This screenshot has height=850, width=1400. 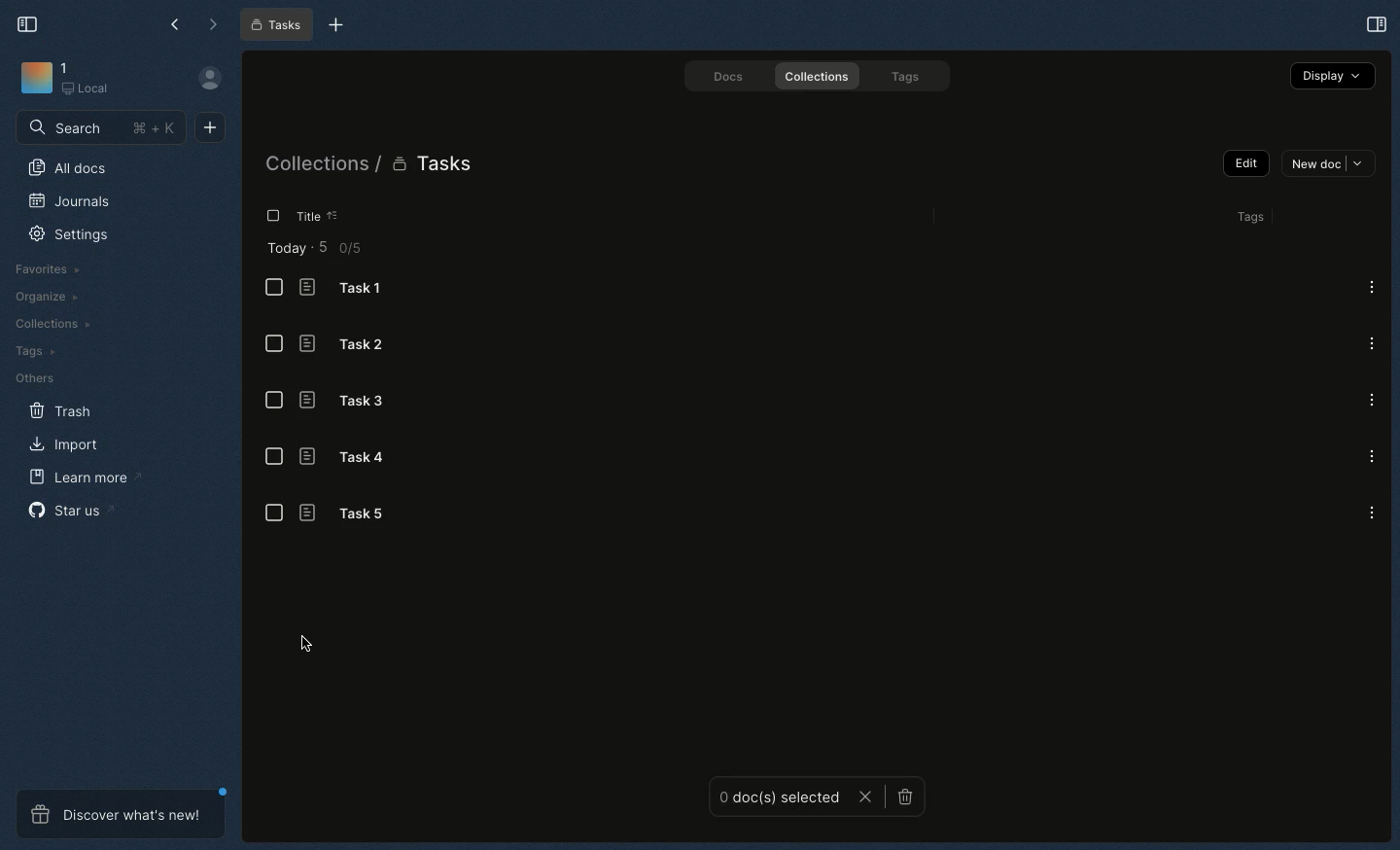 I want to click on Docs, so click(x=730, y=75).